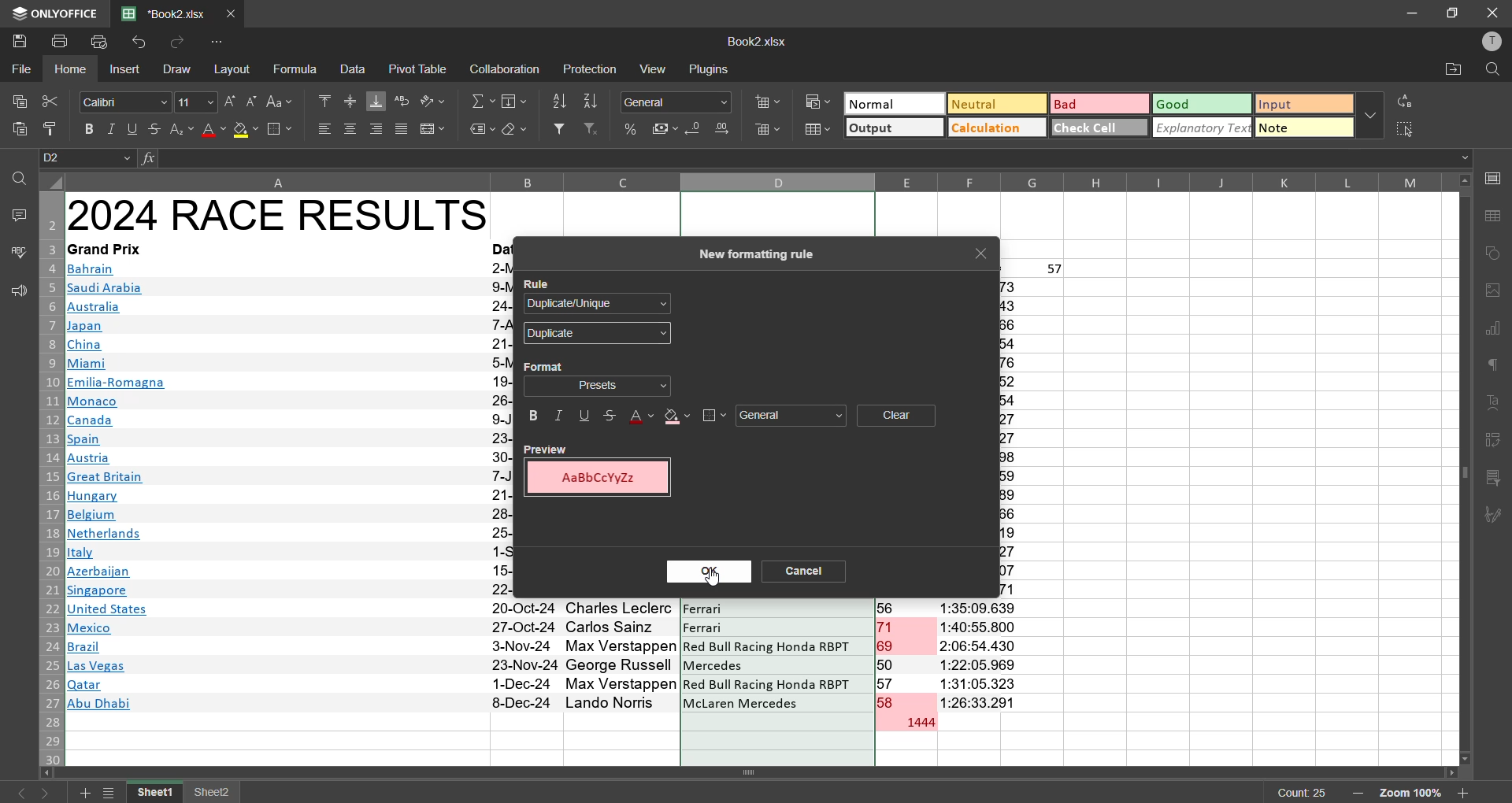 This screenshot has height=803, width=1512. I want to click on minimize, so click(1413, 13).